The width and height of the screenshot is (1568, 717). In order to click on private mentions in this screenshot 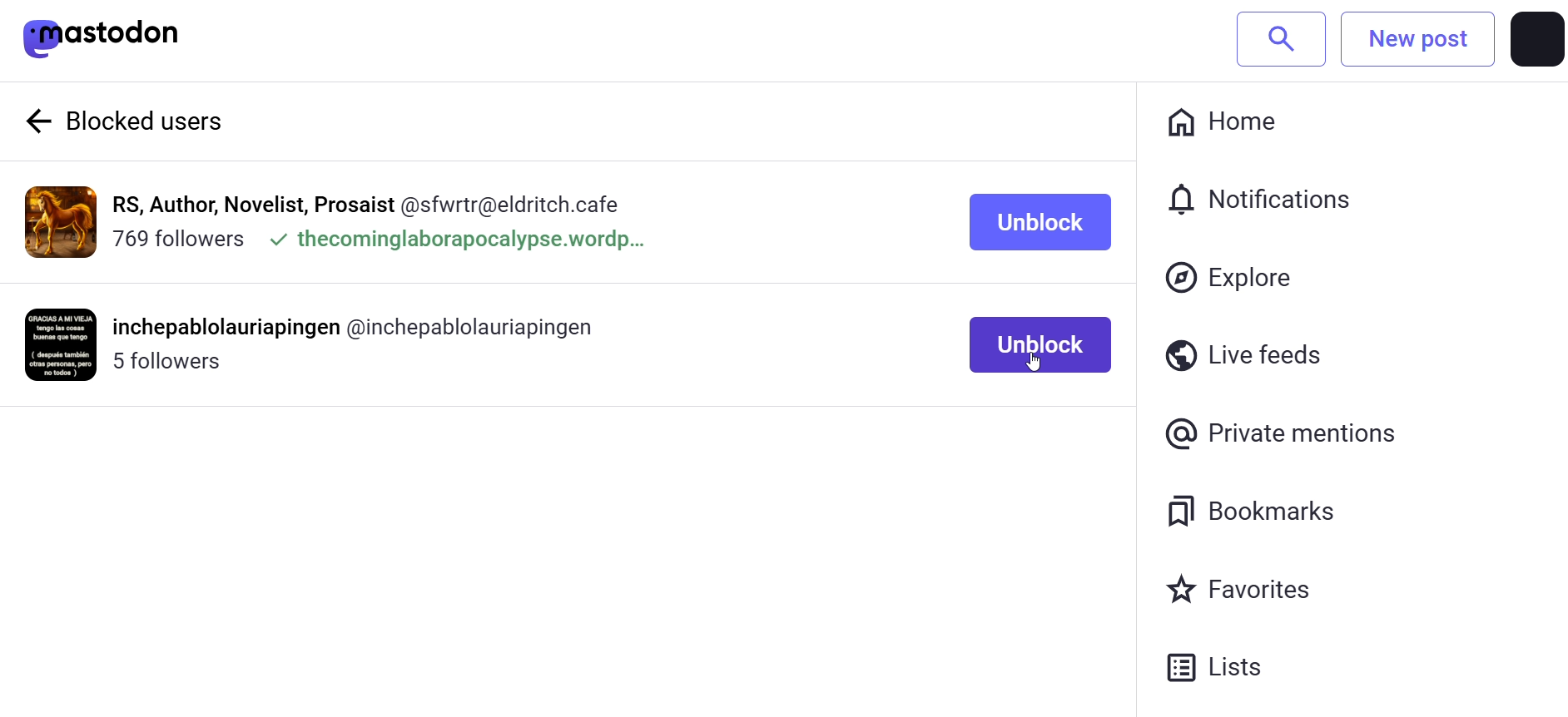, I will do `click(1283, 435)`.